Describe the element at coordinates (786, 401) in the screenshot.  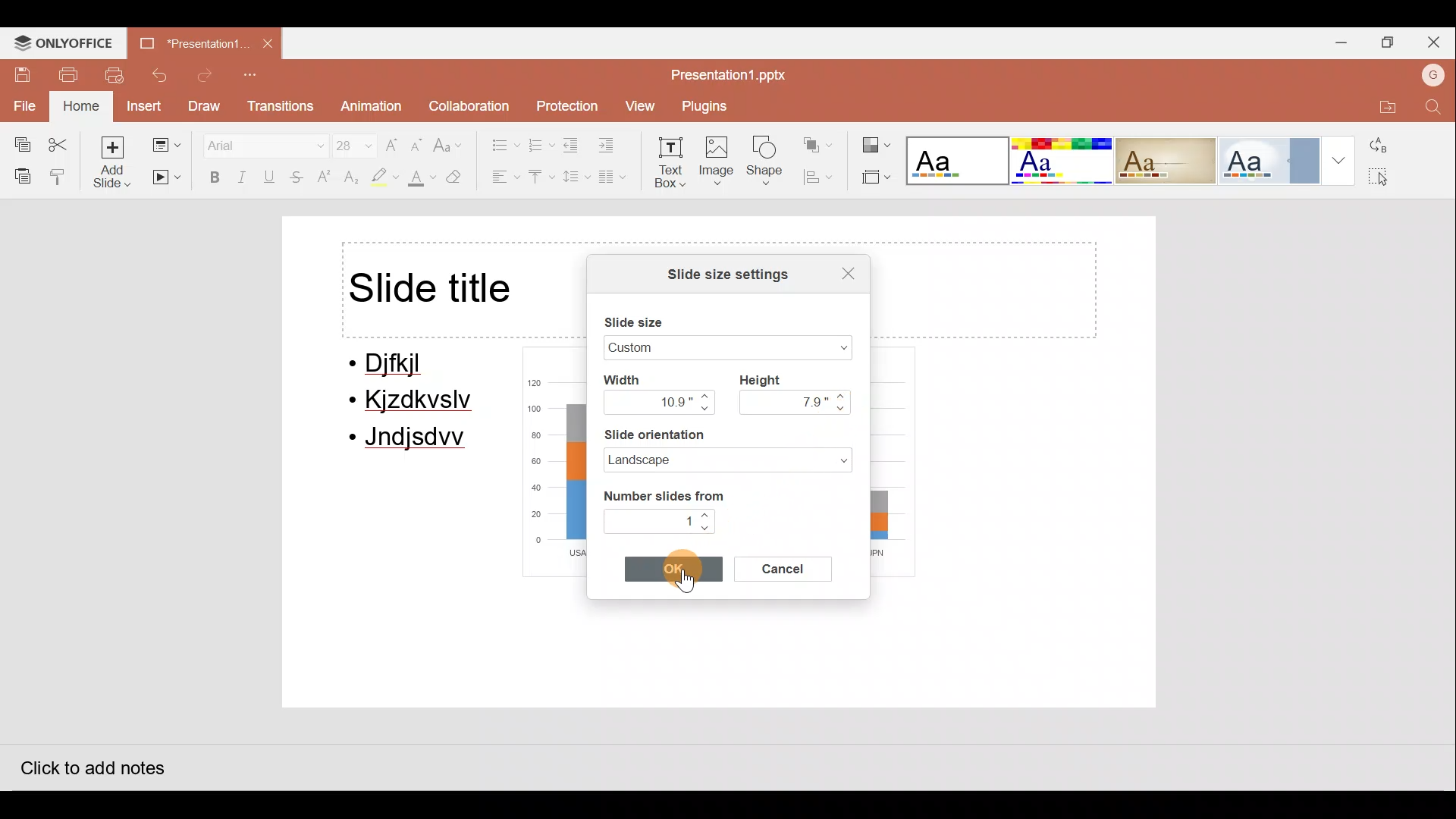
I see `7.9` at that location.